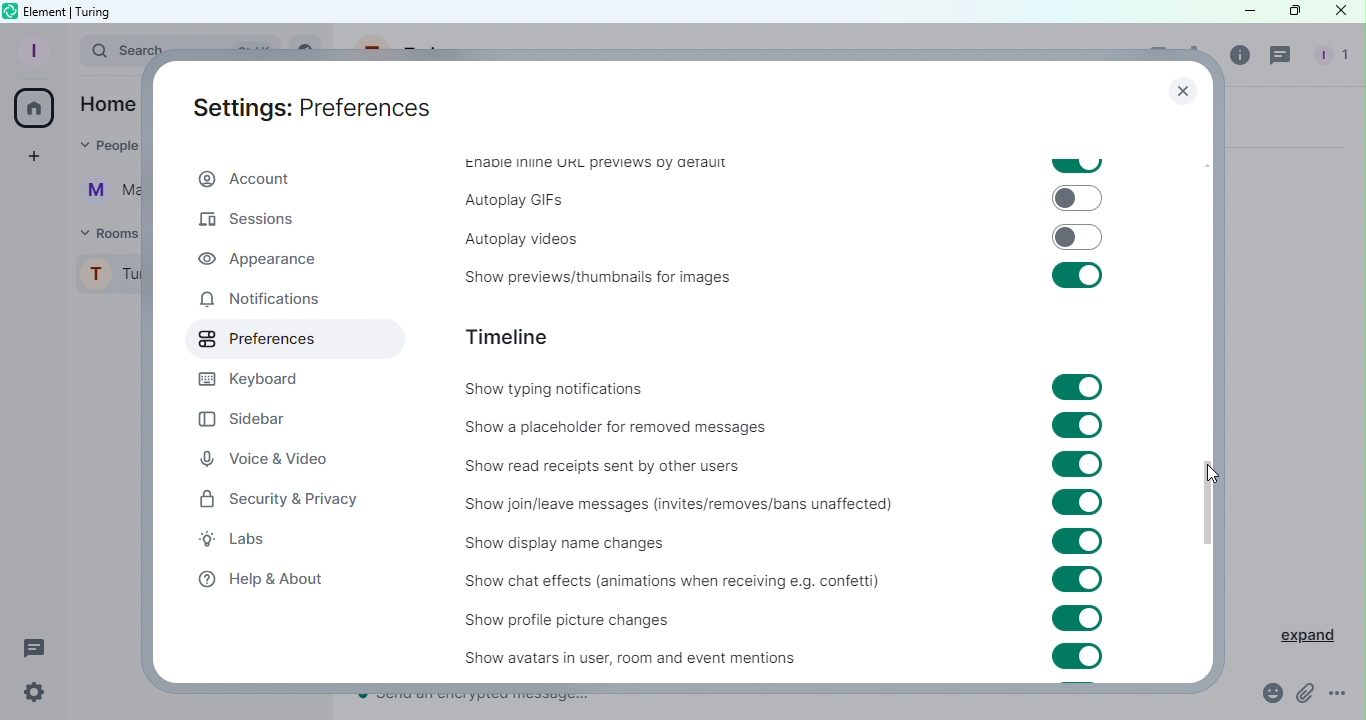  Describe the element at coordinates (35, 646) in the screenshot. I see `Threads` at that location.